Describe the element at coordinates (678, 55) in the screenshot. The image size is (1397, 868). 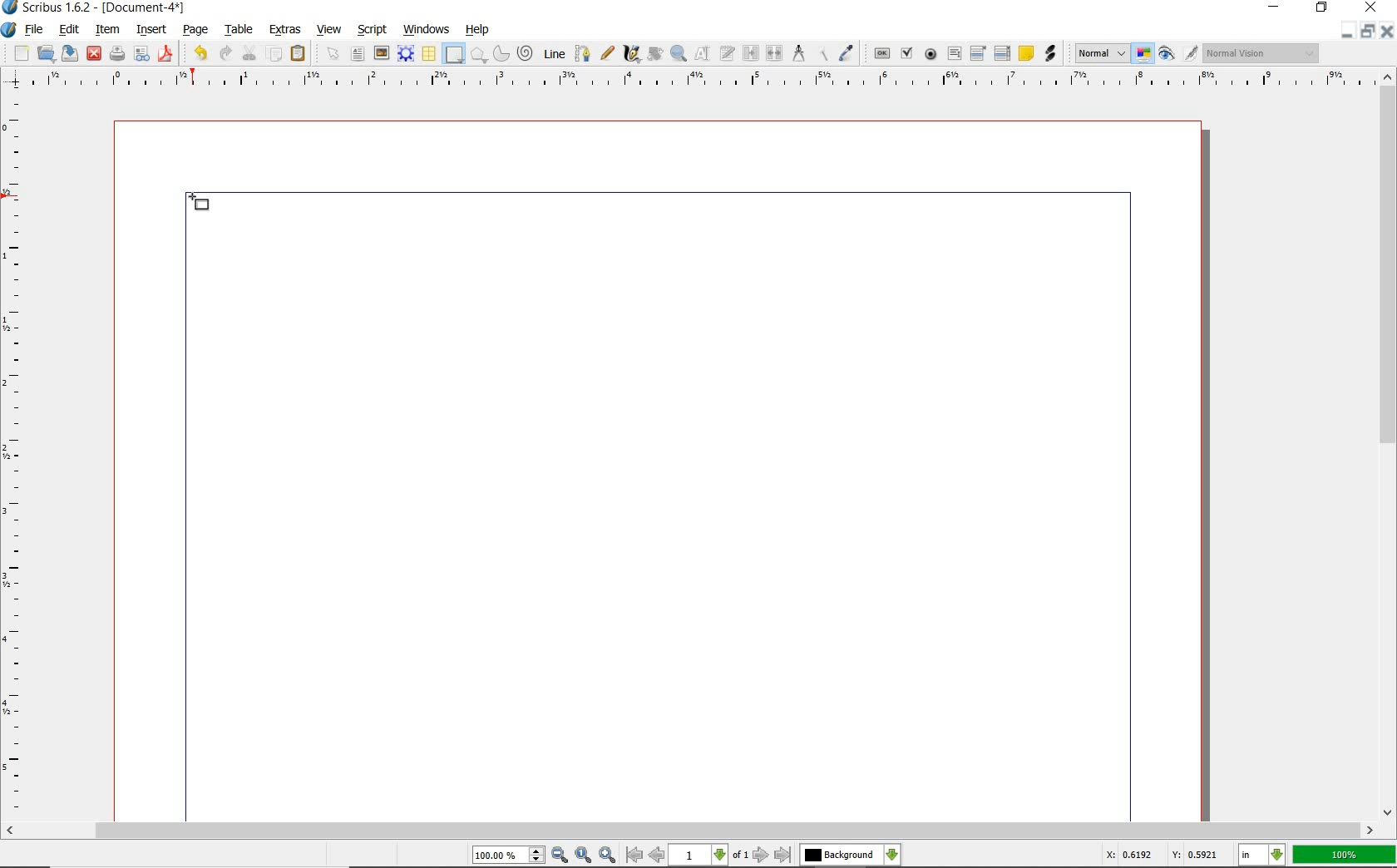
I see `zoom in or zoom out` at that location.